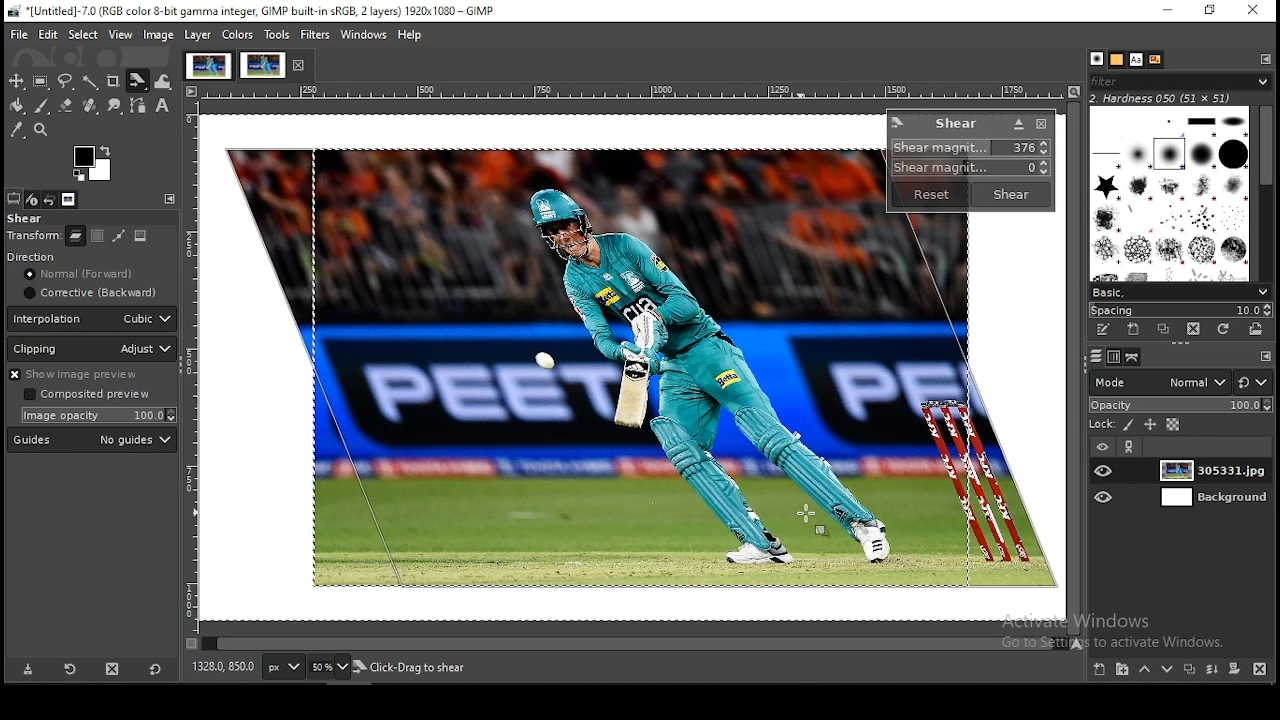 The height and width of the screenshot is (720, 1280). Describe the element at coordinates (42, 132) in the screenshot. I see `zoom tool` at that location.